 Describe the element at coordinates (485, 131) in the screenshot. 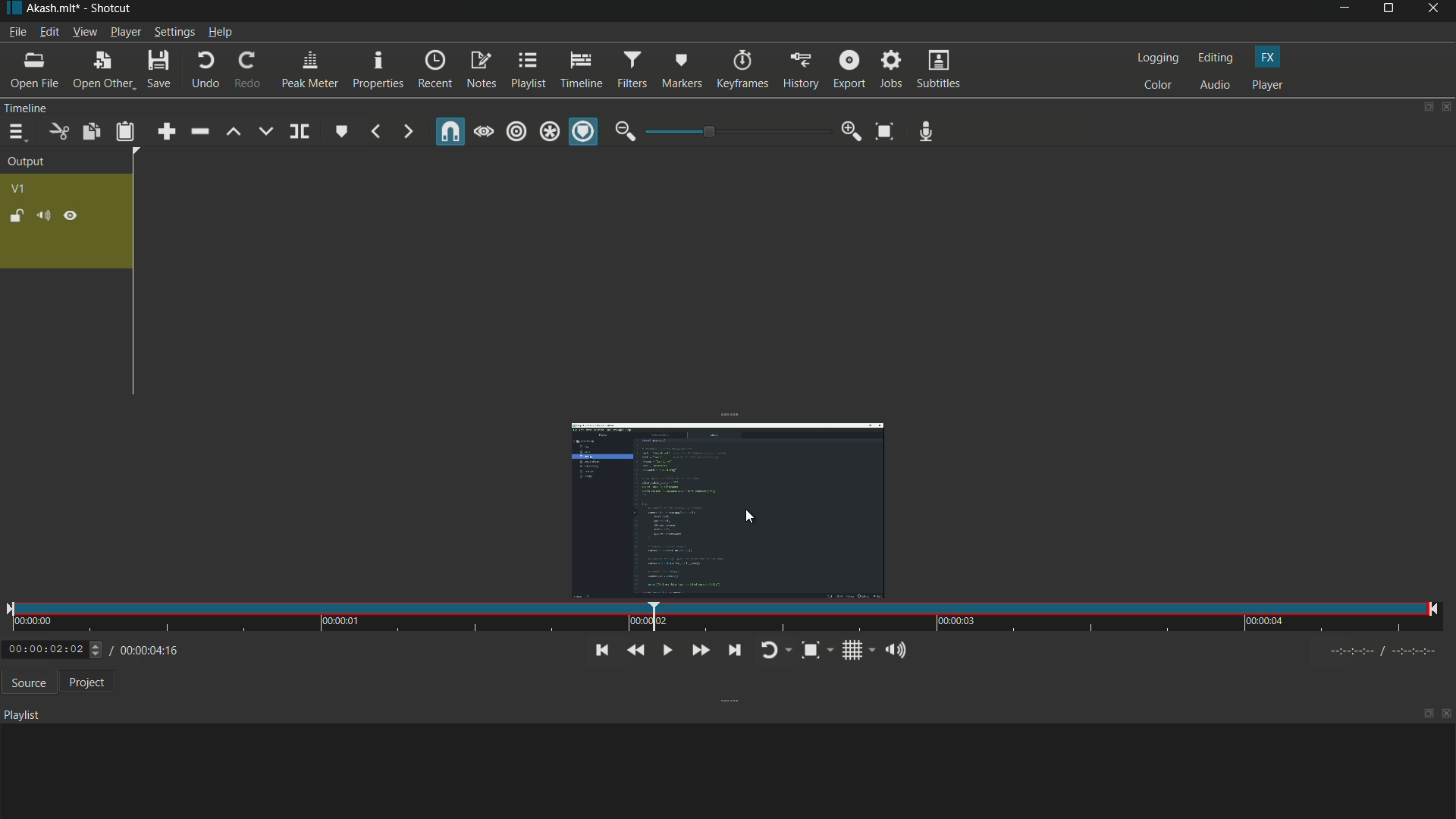

I see `scrub while draging` at that location.